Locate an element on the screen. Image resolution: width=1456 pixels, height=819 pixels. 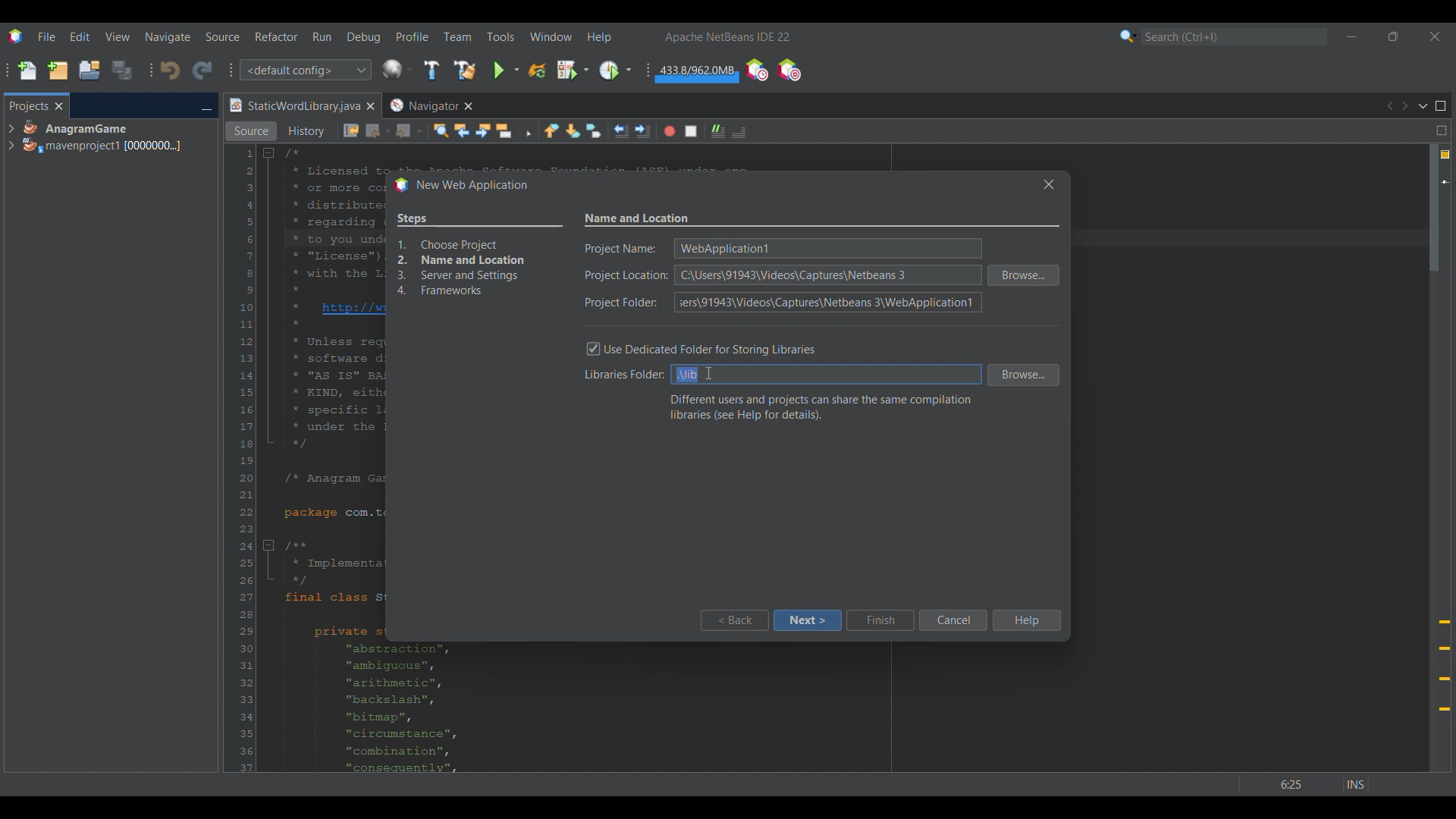
Find previous occurrences is located at coordinates (462, 130).